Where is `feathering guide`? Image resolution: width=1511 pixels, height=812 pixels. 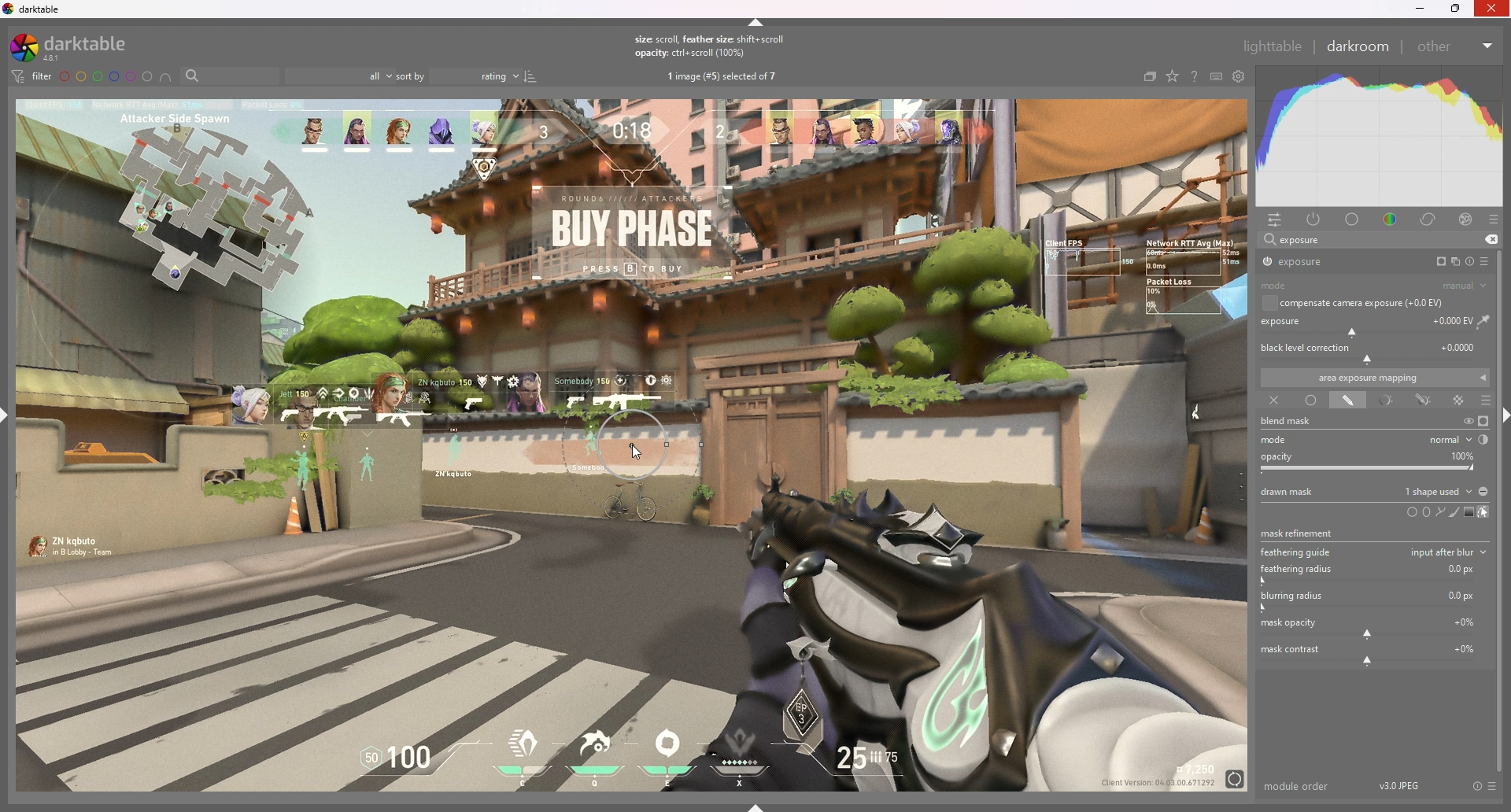
feathering guide is located at coordinates (1299, 552).